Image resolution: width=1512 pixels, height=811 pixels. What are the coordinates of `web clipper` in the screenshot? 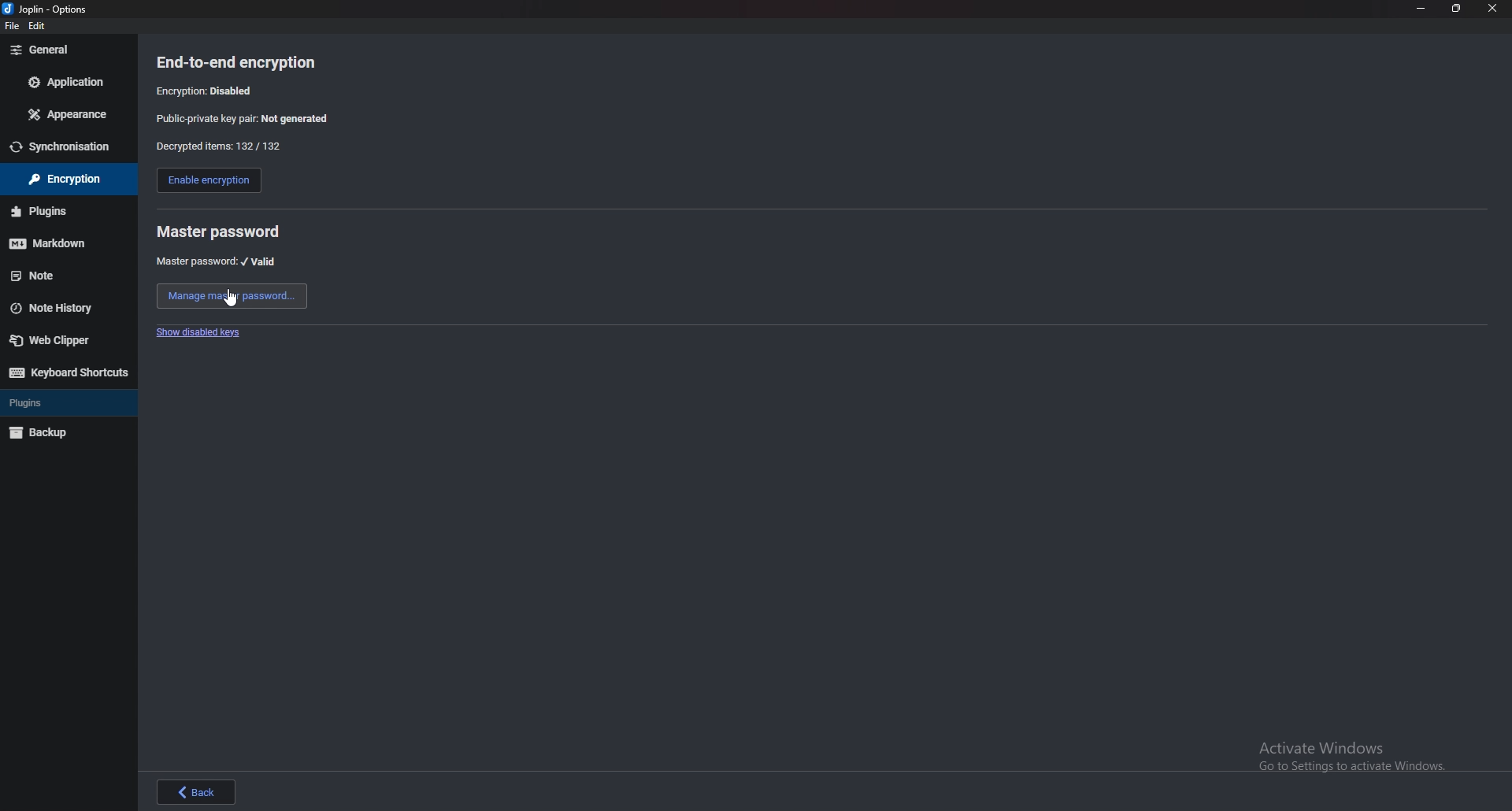 It's located at (68, 339).